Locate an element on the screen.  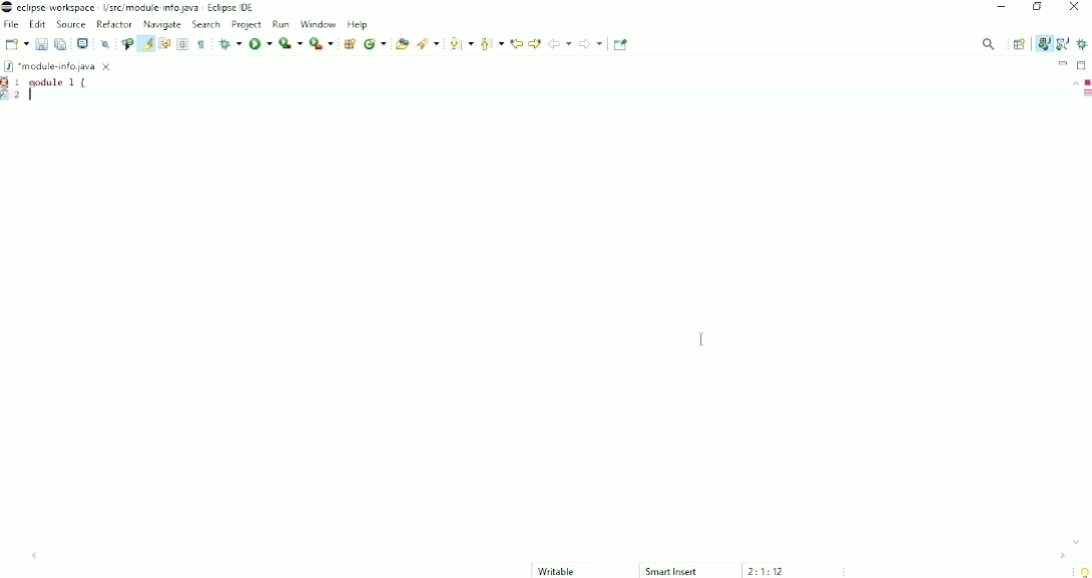
Tip of the day is located at coordinates (1083, 572).